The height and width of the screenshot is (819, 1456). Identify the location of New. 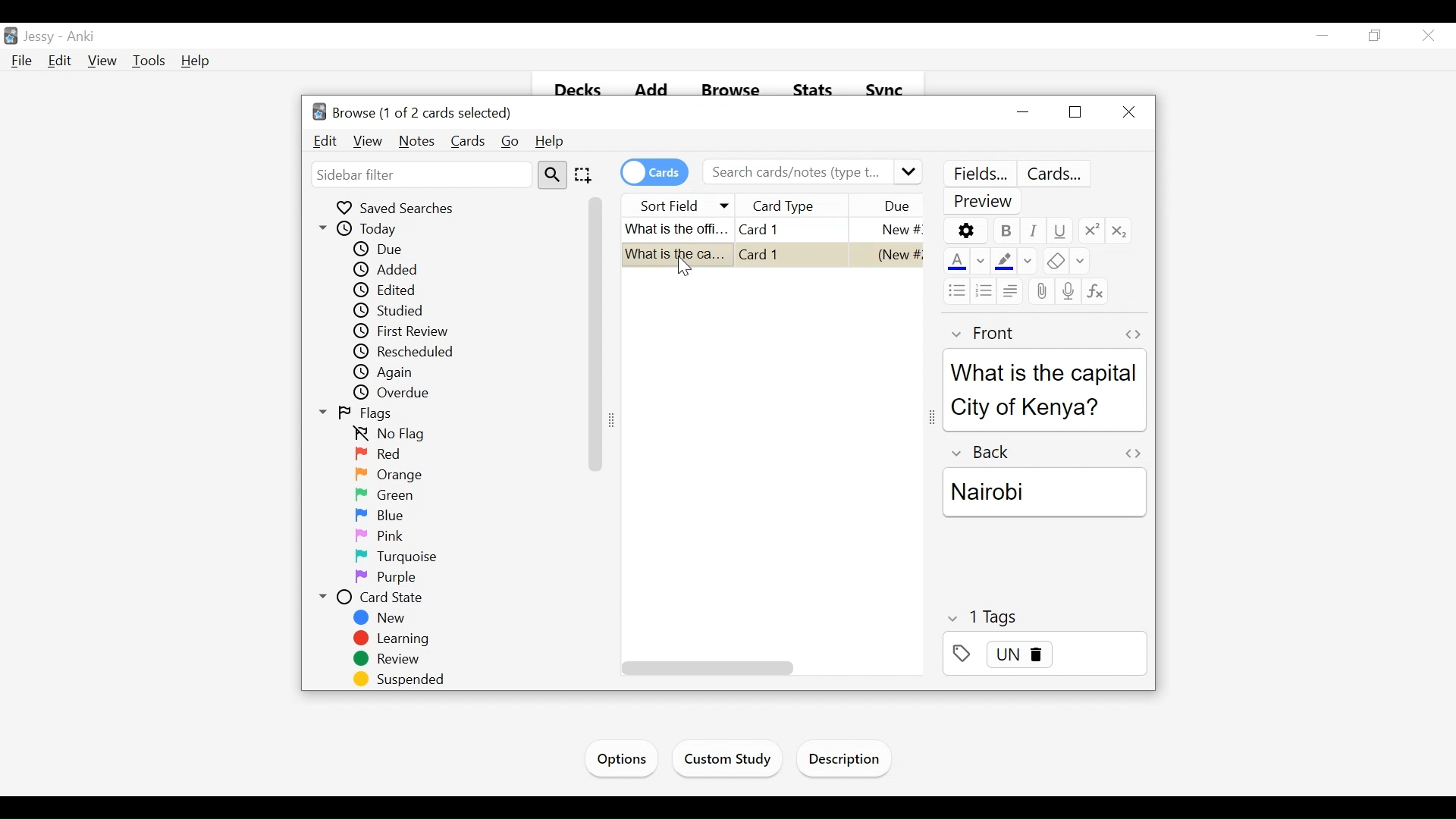
(381, 618).